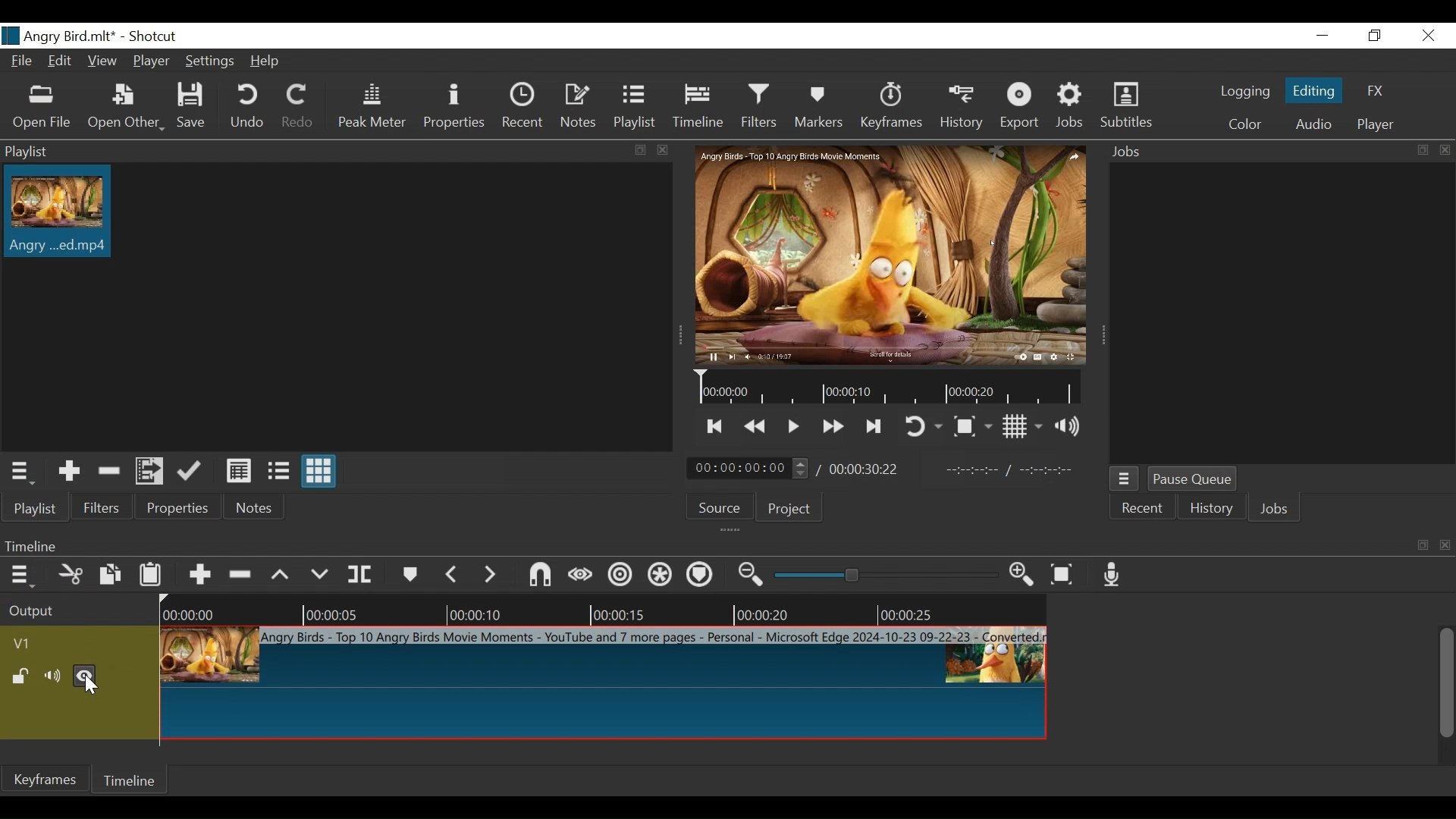  I want to click on Append, so click(199, 575).